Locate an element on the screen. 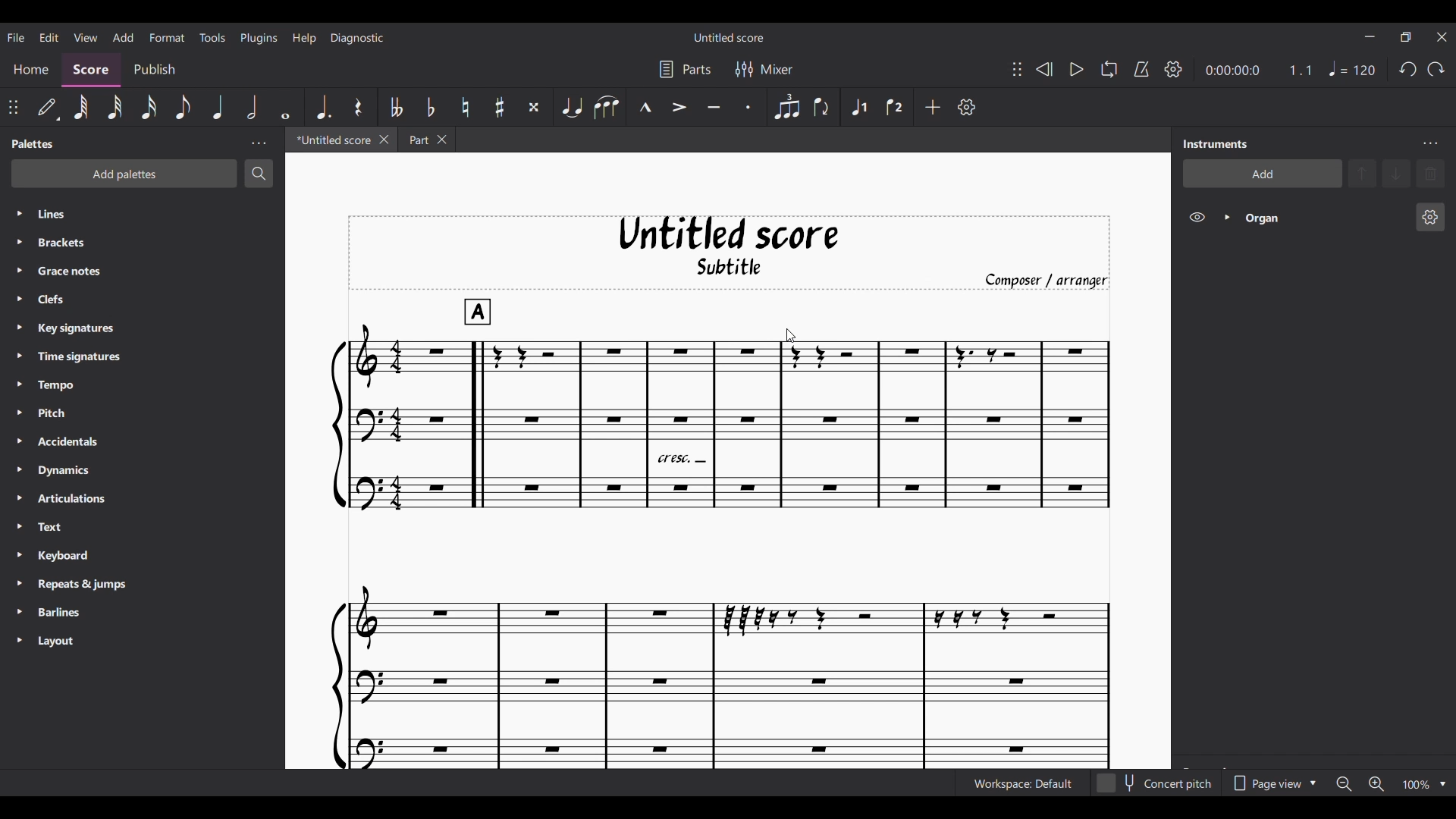 This screenshot has width=1456, height=819. 16th note is located at coordinates (149, 108).